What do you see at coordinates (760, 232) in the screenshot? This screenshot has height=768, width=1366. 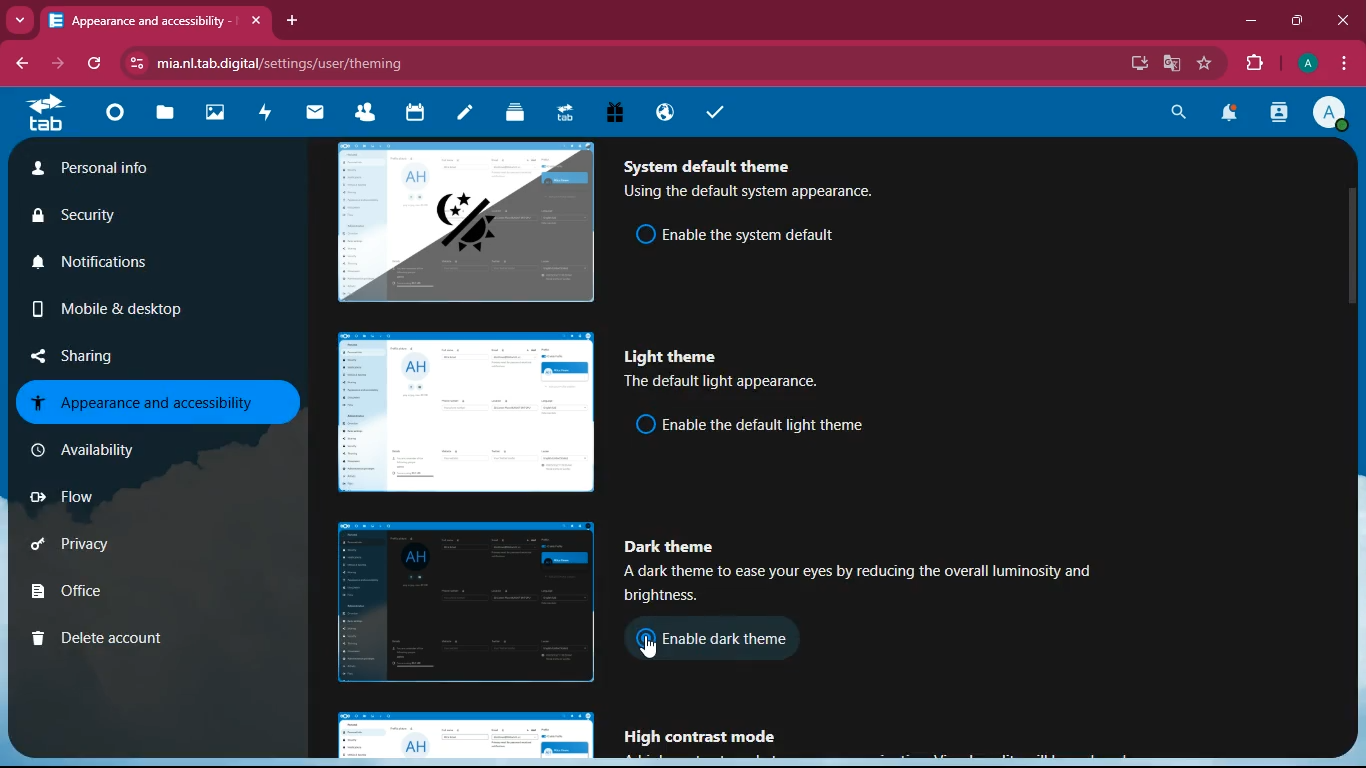 I see `enable` at bounding box center [760, 232].